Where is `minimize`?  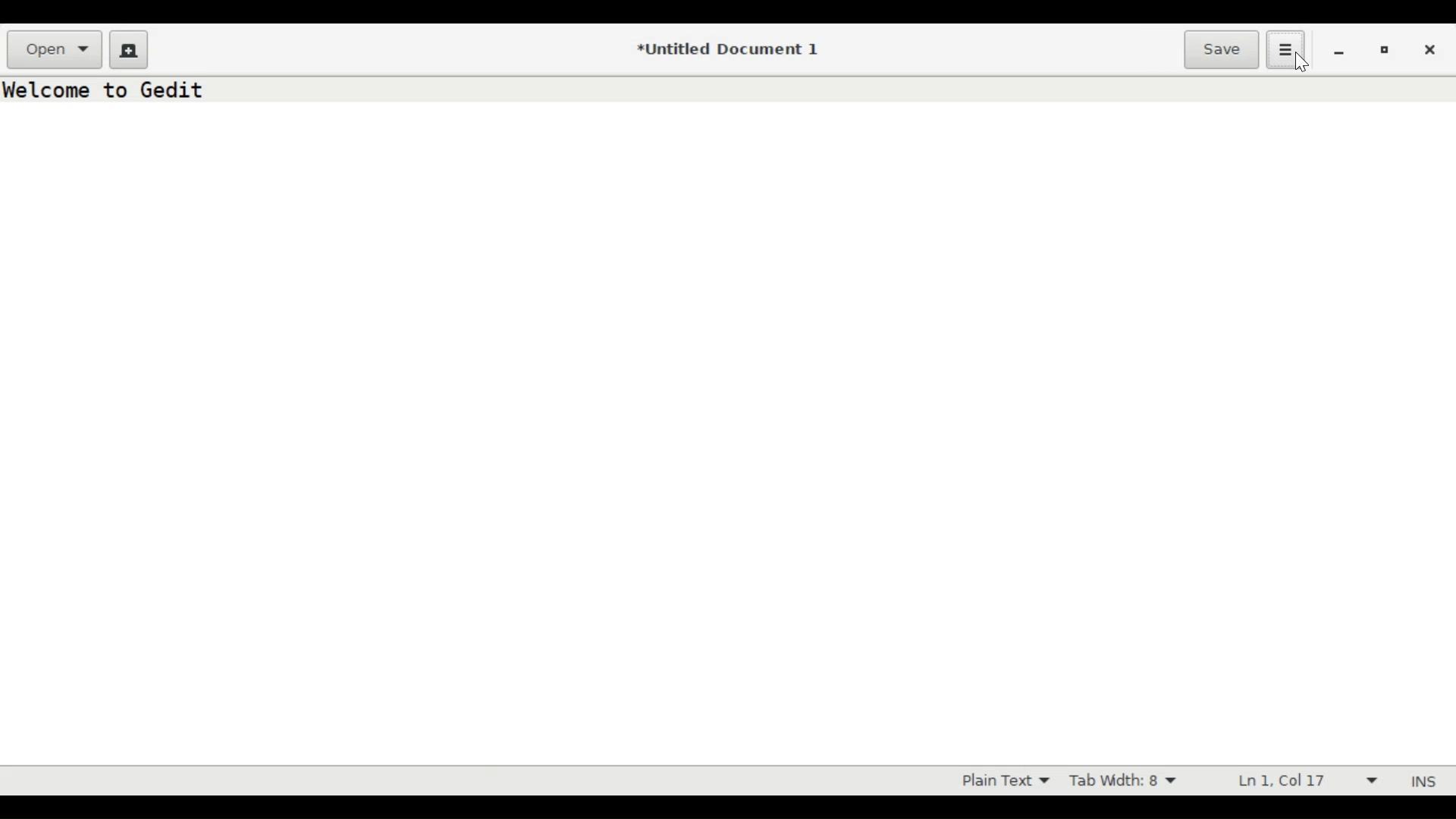 minimize is located at coordinates (1336, 50).